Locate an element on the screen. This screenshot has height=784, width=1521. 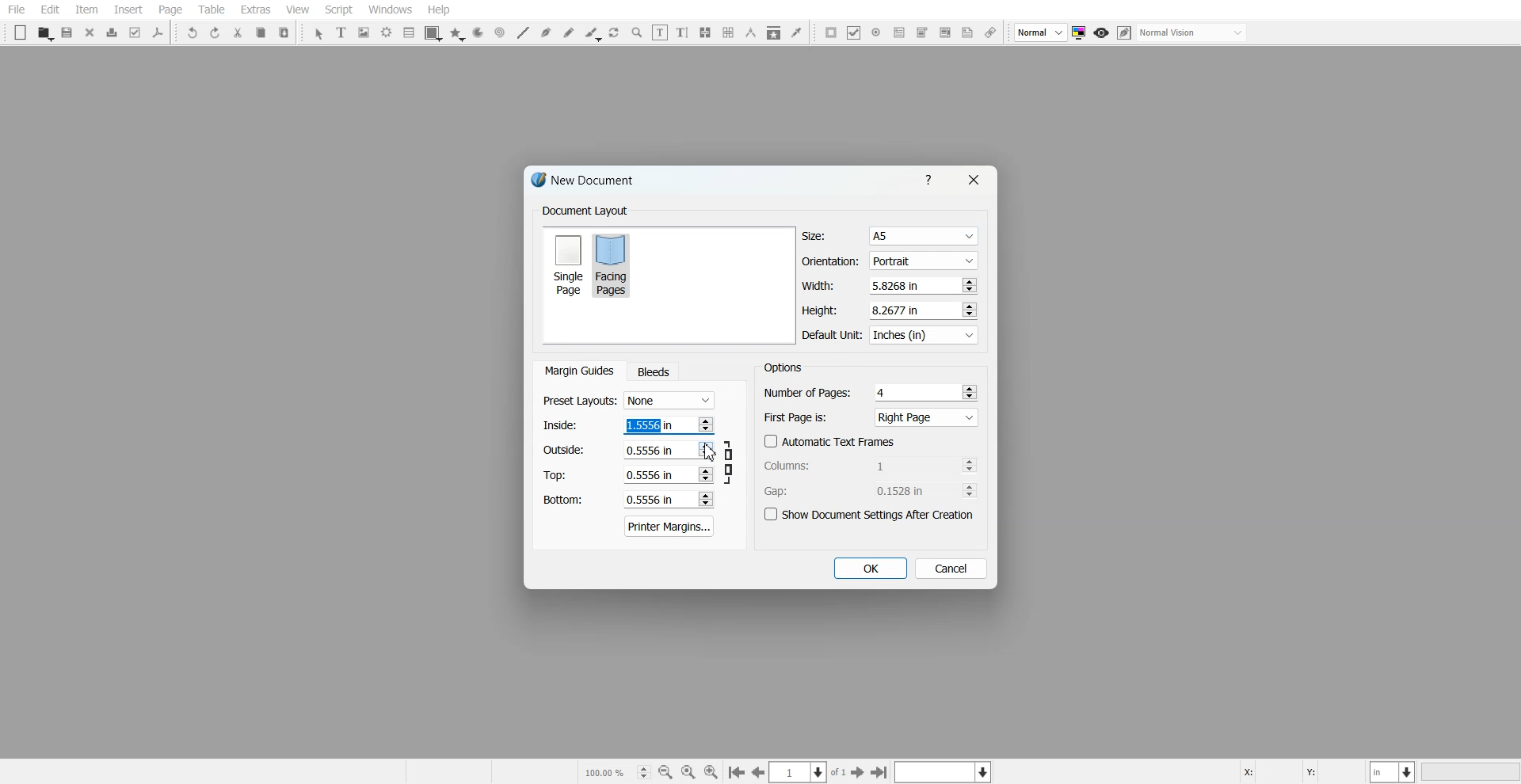
Polygon is located at coordinates (457, 34).